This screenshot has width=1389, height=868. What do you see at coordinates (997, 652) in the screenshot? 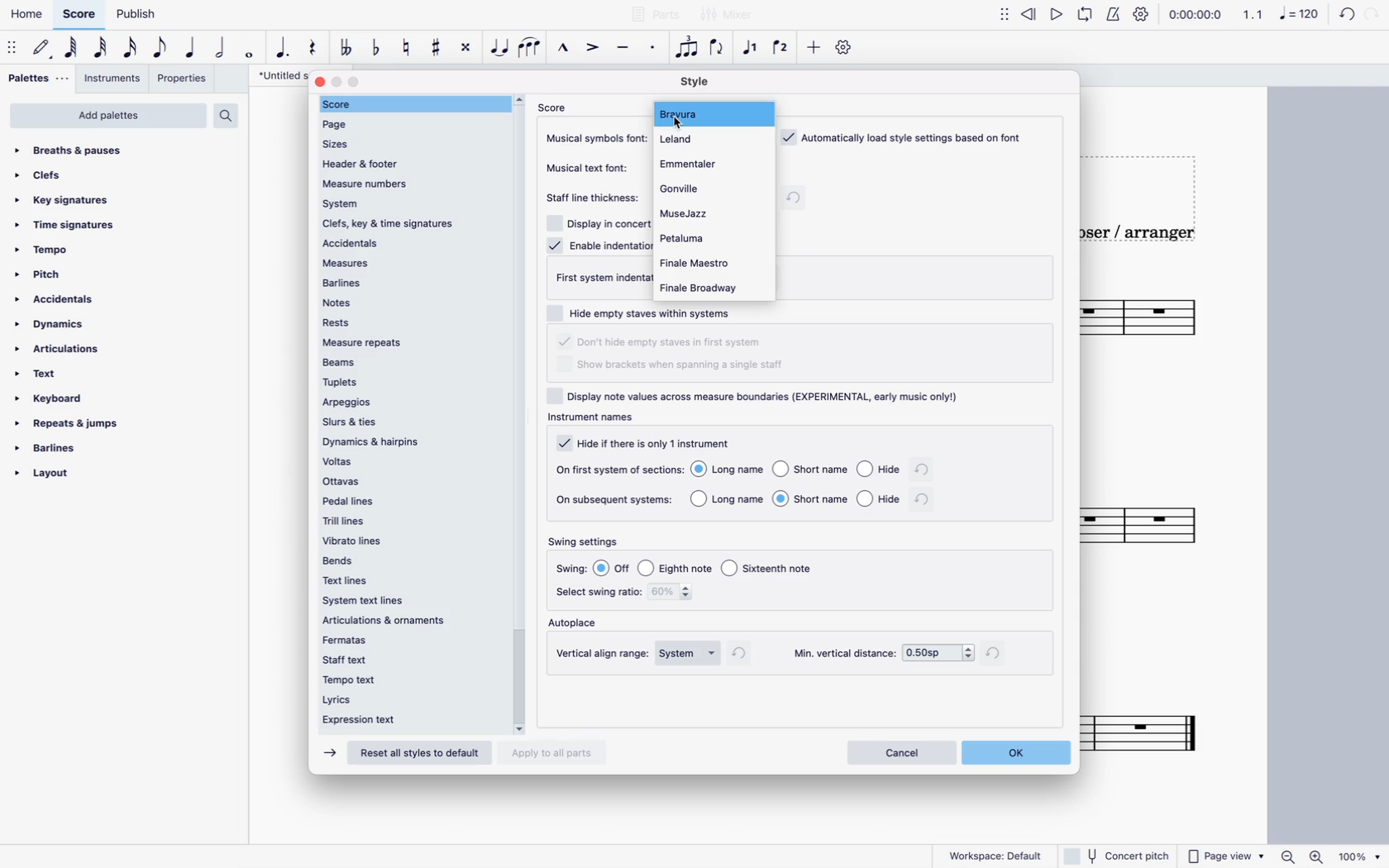
I see `refresh` at bounding box center [997, 652].